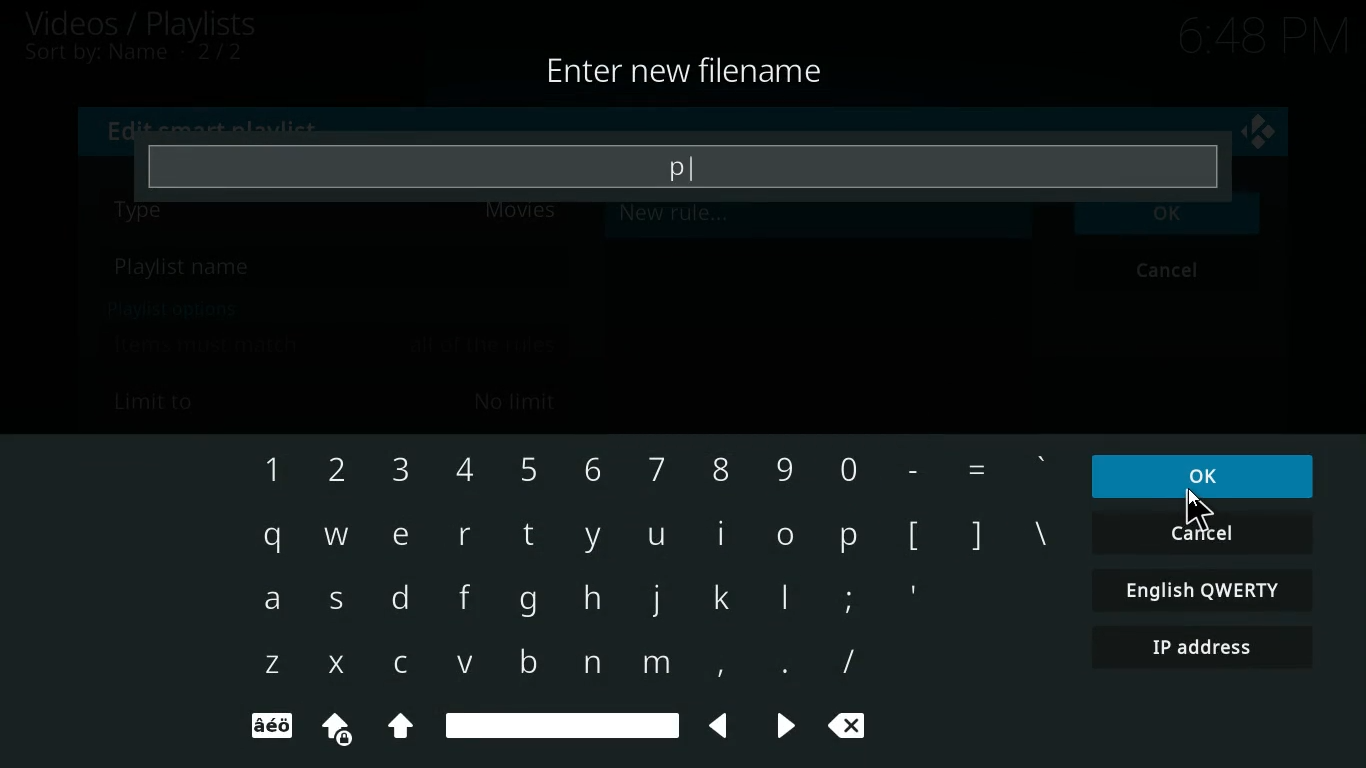  Describe the element at coordinates (271, 604) in the screenshot. I see `a` at that location.